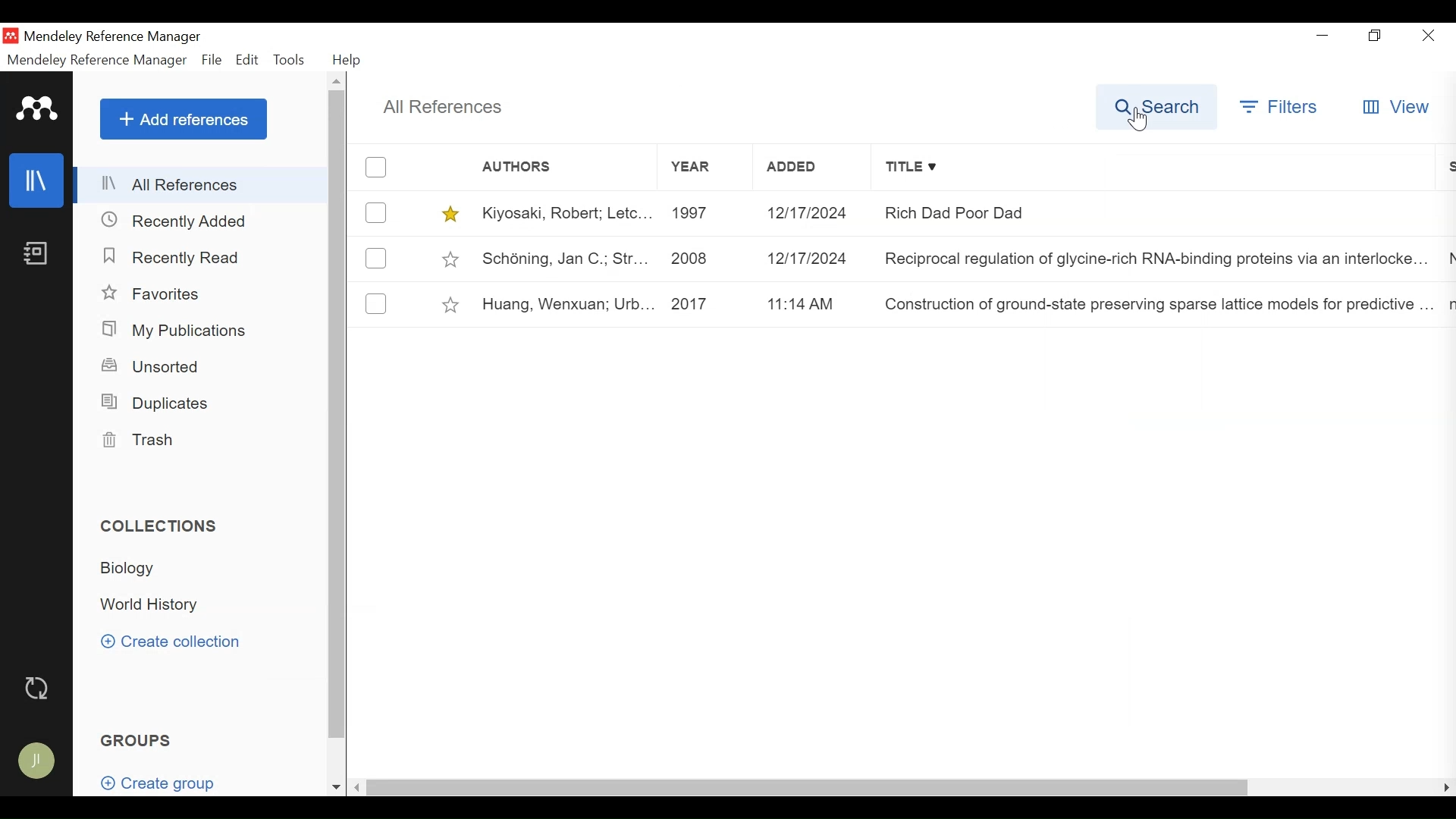 This screenshot has width=1456, height=819. I want to click on Collections, so click(158, 526).